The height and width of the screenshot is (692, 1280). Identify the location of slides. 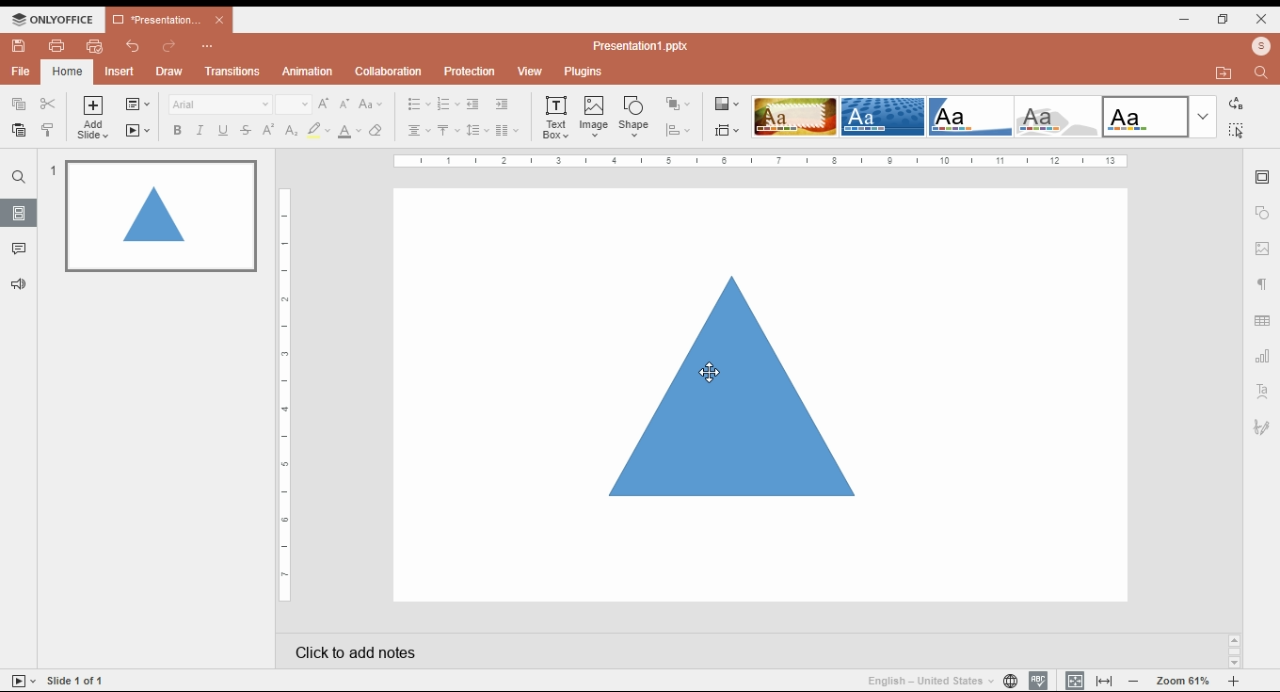
(20, 213).